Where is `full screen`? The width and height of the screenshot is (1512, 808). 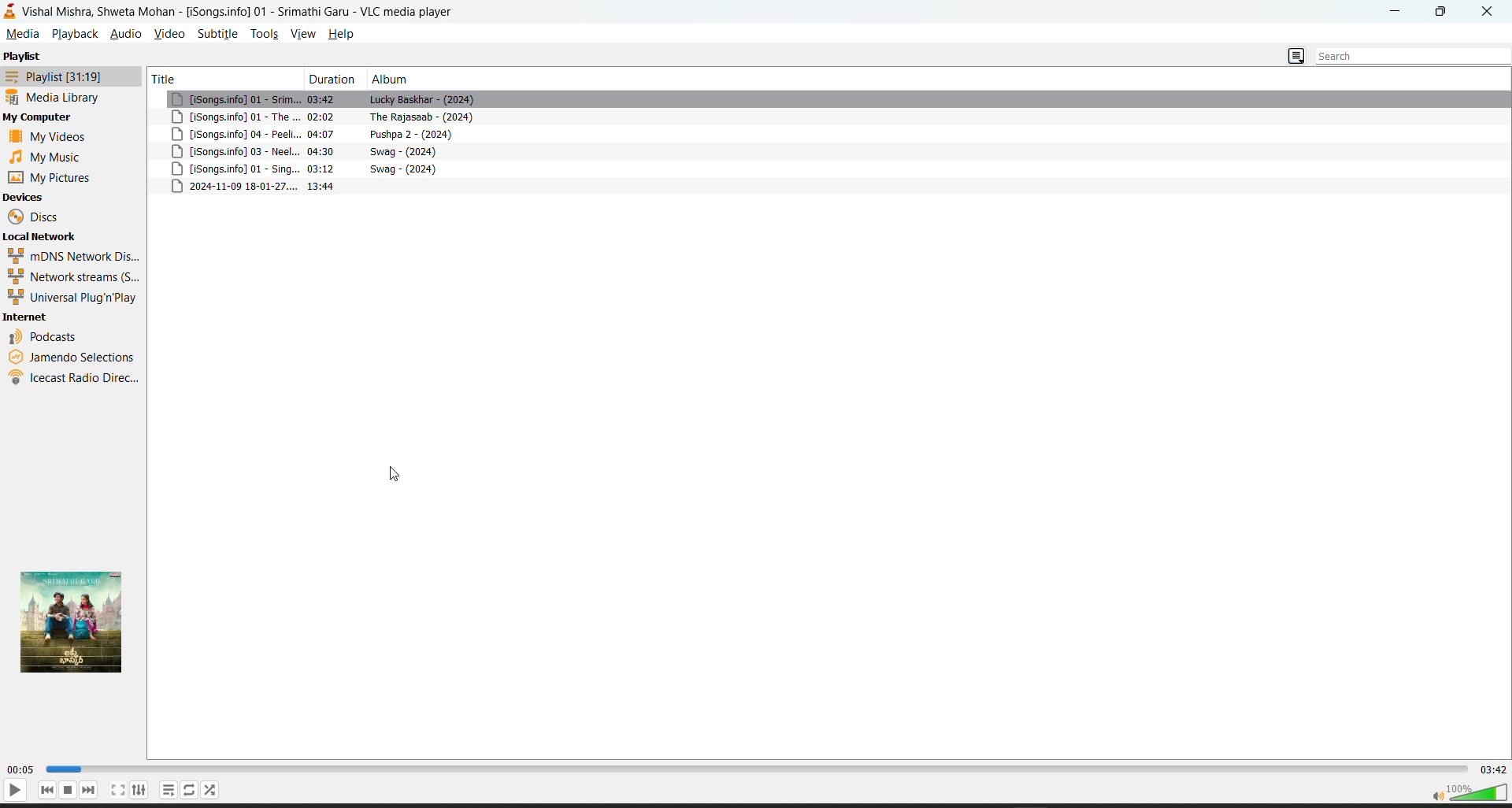
full screen is located at coordinates (116, 789).